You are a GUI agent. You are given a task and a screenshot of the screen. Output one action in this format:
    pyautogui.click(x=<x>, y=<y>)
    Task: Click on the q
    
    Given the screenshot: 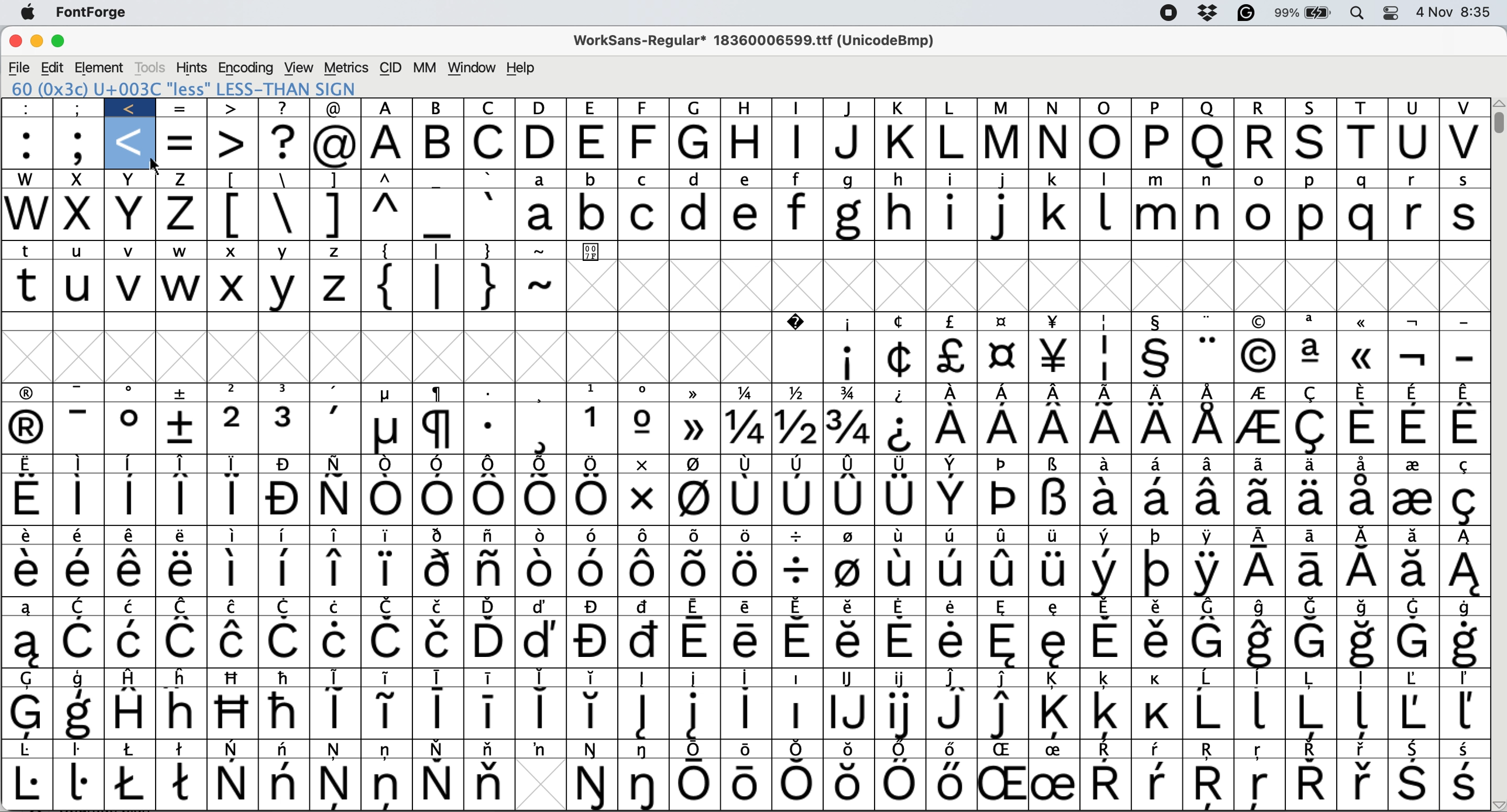 What is the action you would take?
    pyautogui.click(x=1363, y=215)
    